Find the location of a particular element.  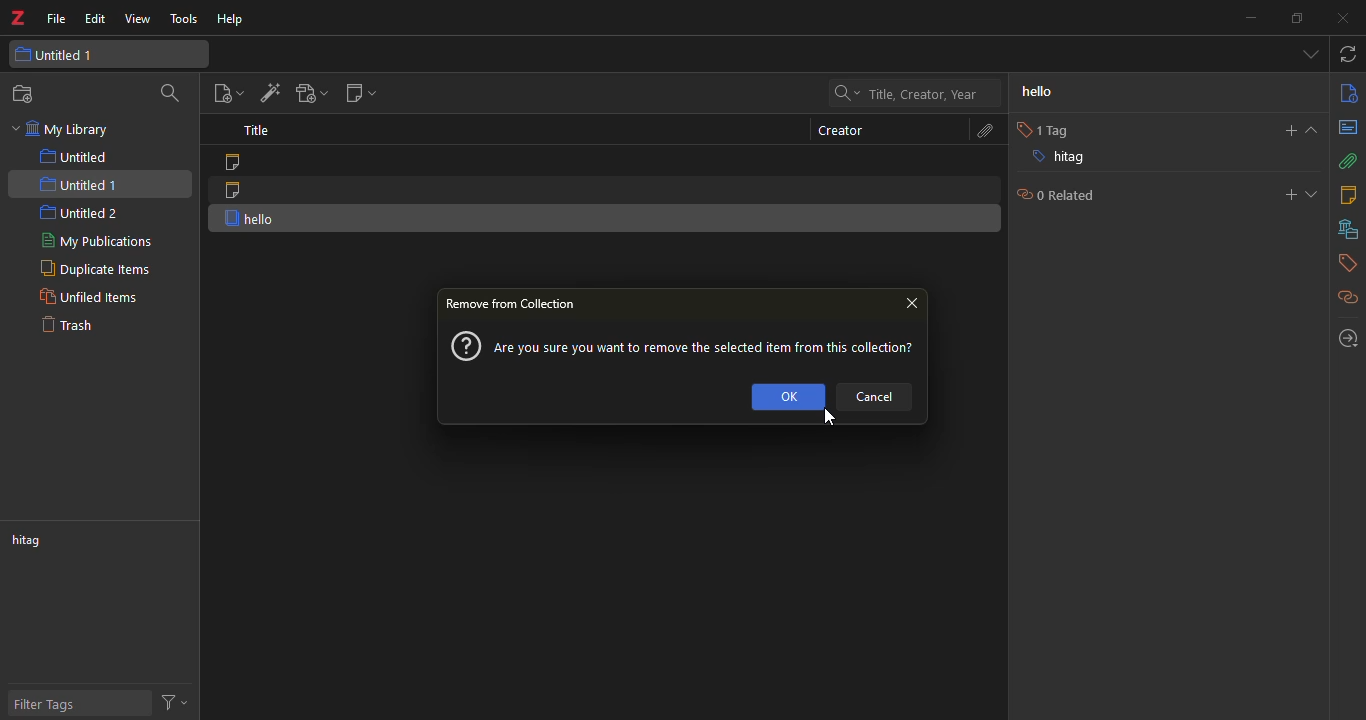

my publications is located at coordinates (99, 243).